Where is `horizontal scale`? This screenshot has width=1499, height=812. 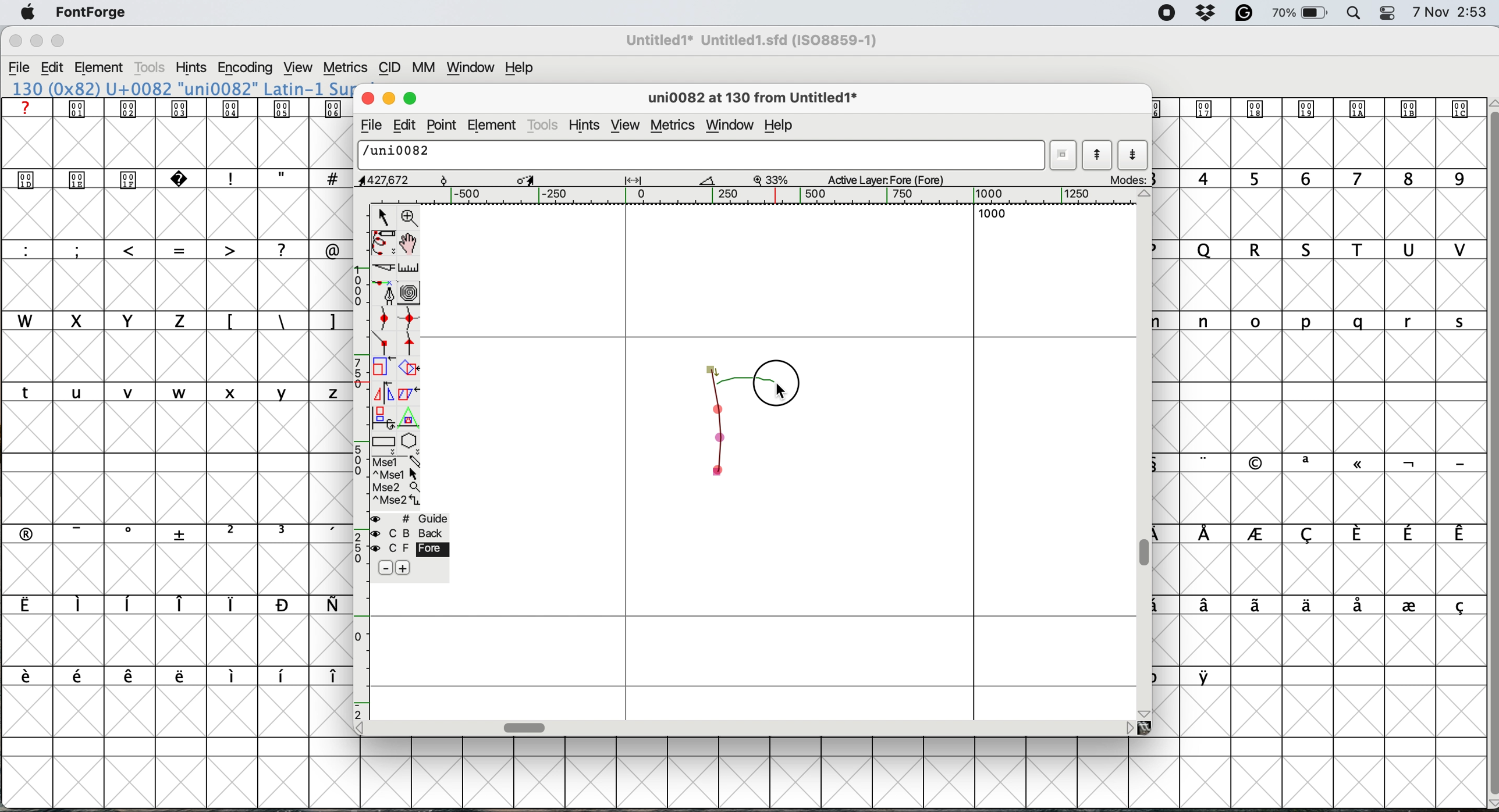
horizontal scale is located at coordinates (777, 196).